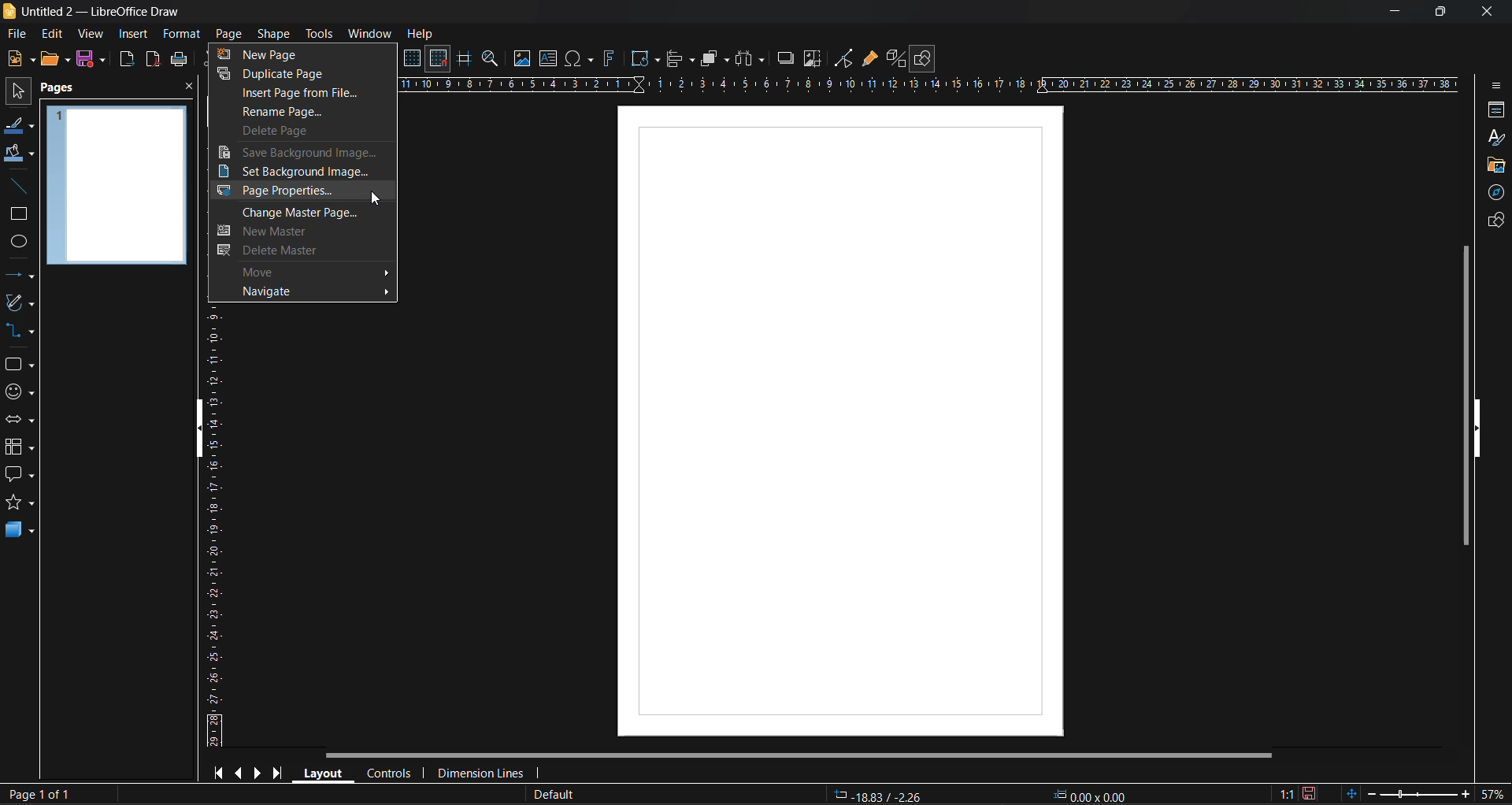  What do you see at coordinates (20, 418) in the screenshot?
I see `block arrows` at bounding box center [20, 418].